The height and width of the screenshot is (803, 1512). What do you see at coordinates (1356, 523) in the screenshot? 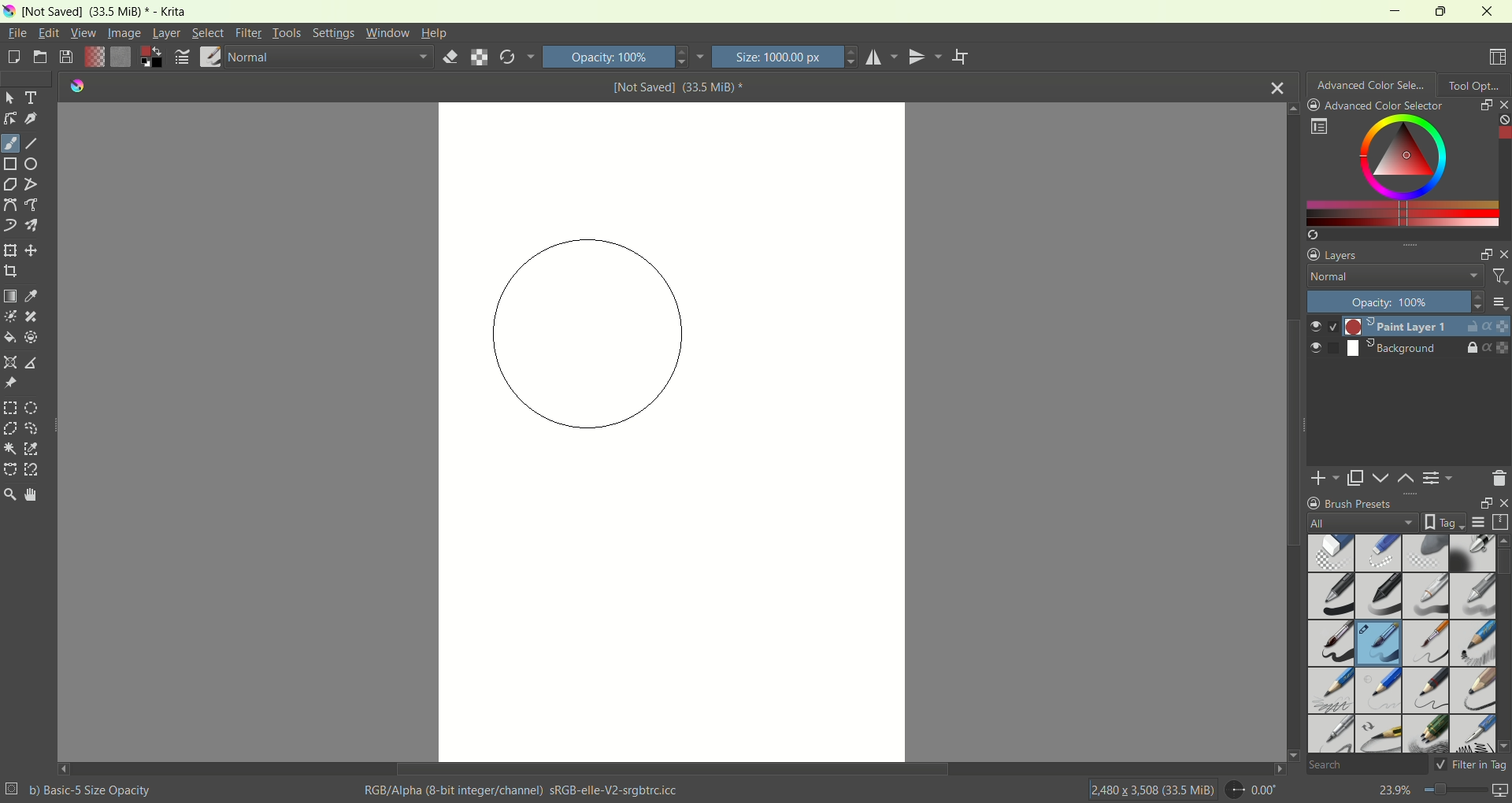
I see `all` at bounding box center [1356, 523].